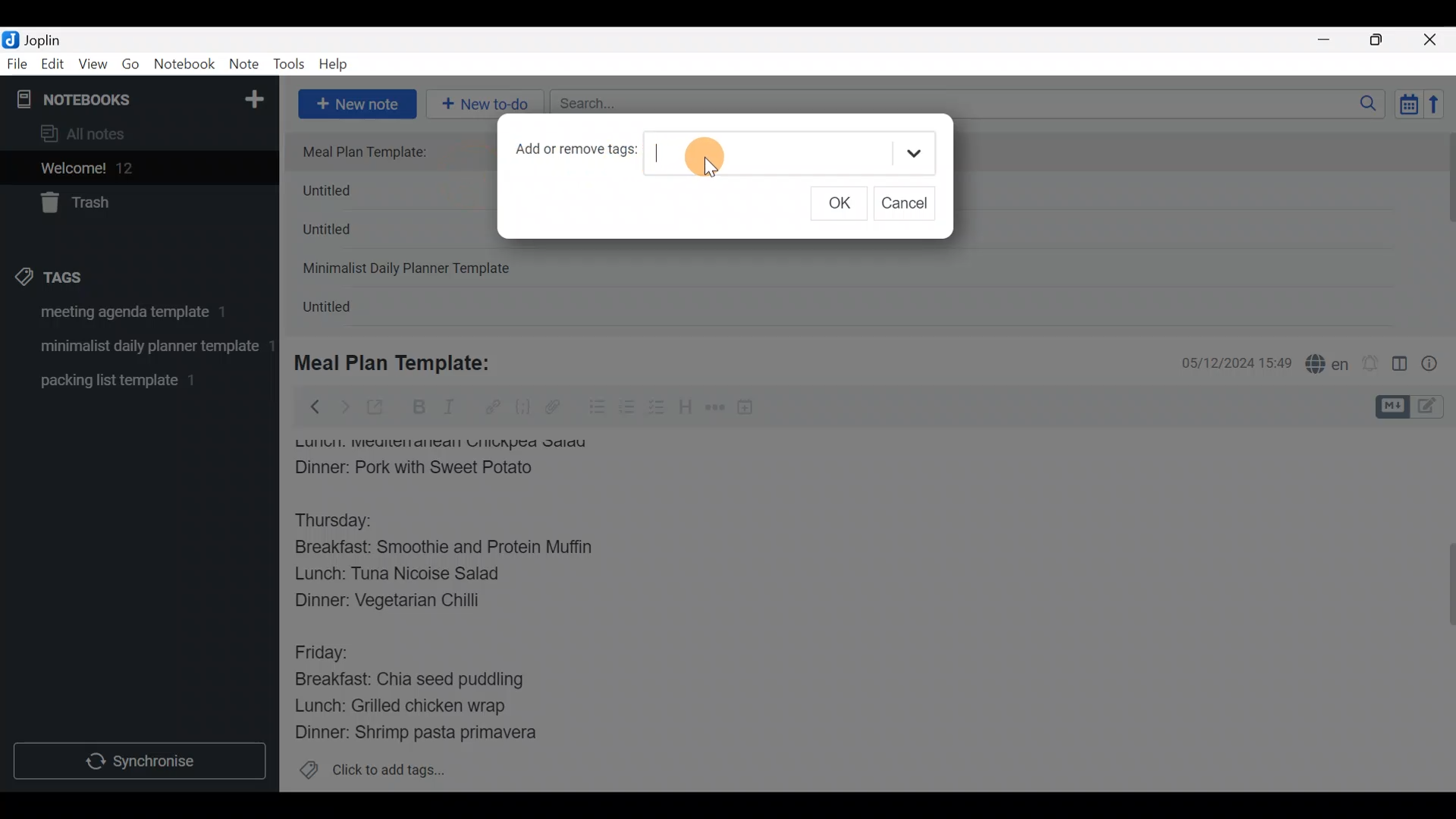 The image size is (1456, 819). What do you see at coordinates (93, 67) in the screenshot?
I see `View` at bounding box center [93, 67].